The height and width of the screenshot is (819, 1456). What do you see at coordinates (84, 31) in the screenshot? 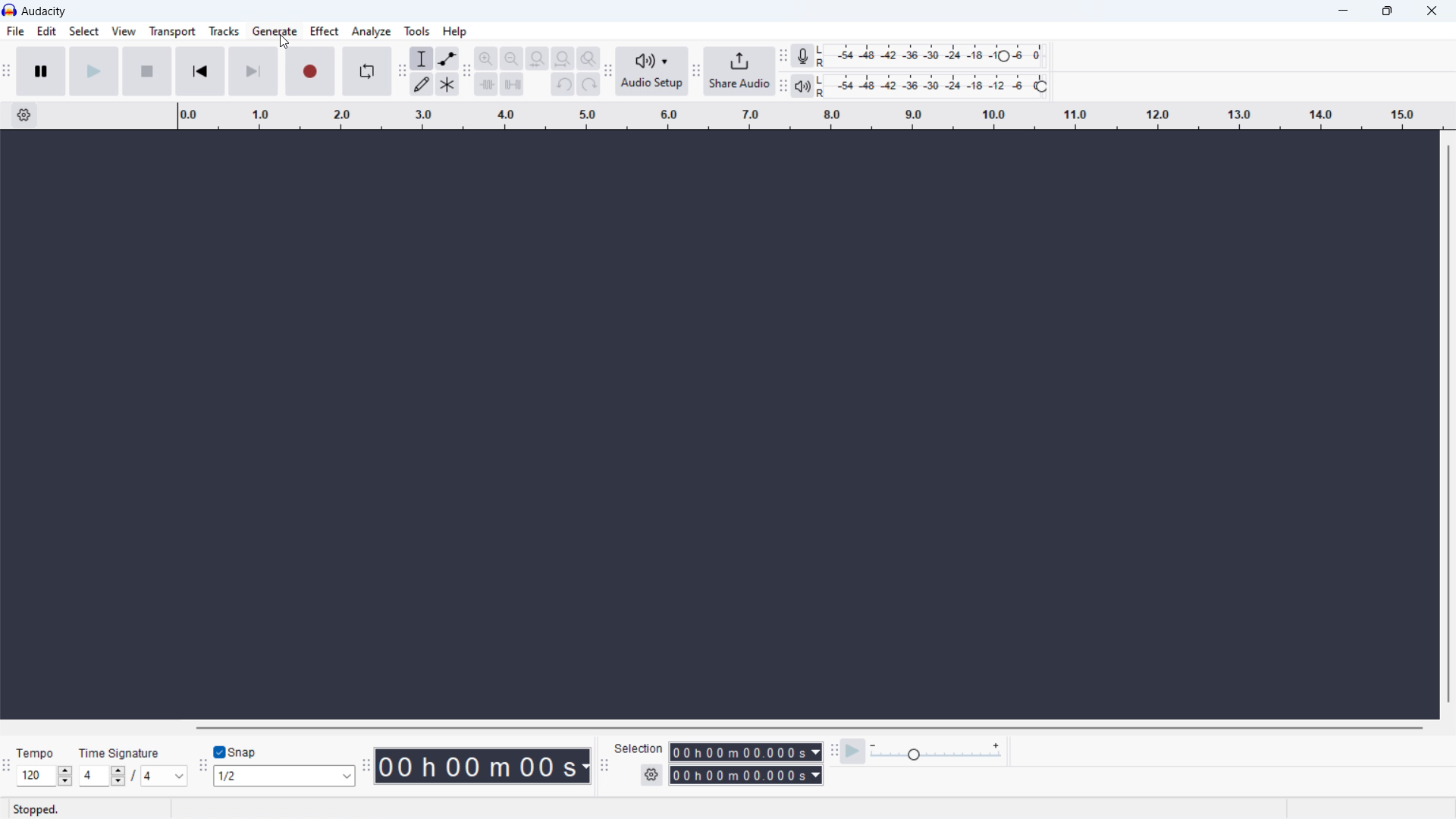
I see `select` at bounding box center [84, 31].